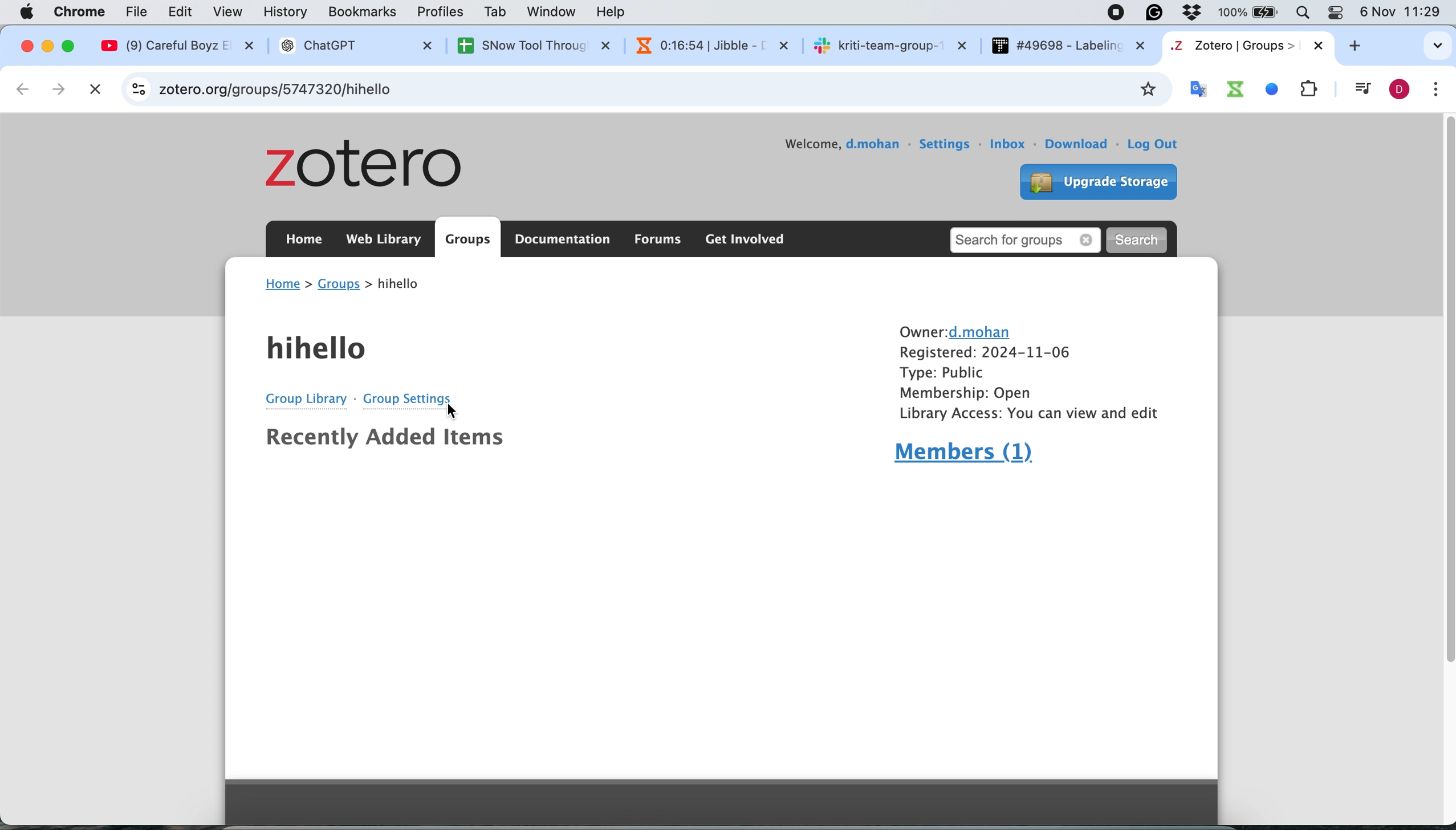  I want to click on Apple logo, so click(27, 11).